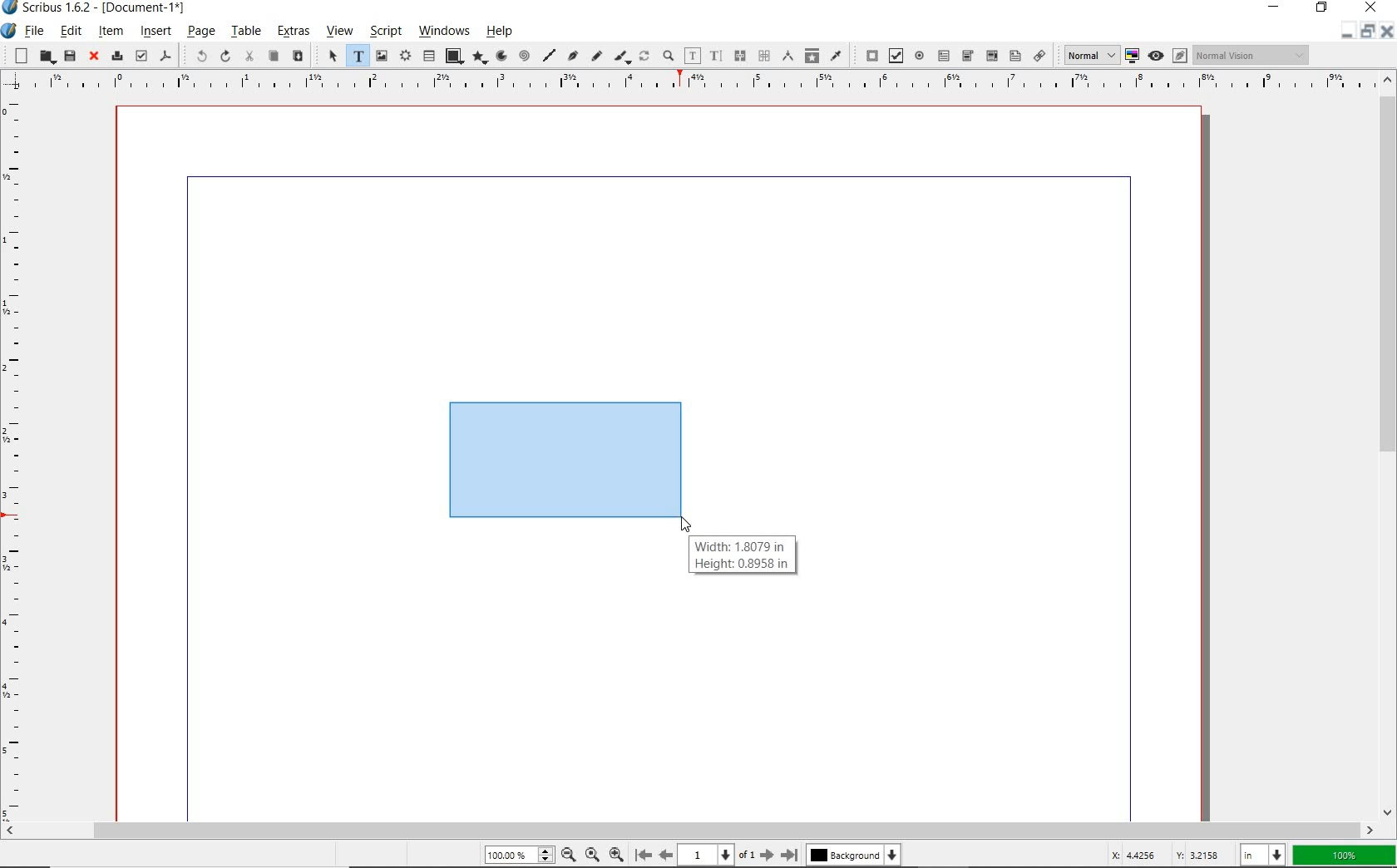 The image size is (1397, 868). What do you see at coordinates (1389, 445) in the screenshot?
I see `scrollbar` at bounding box center [1389, 445].